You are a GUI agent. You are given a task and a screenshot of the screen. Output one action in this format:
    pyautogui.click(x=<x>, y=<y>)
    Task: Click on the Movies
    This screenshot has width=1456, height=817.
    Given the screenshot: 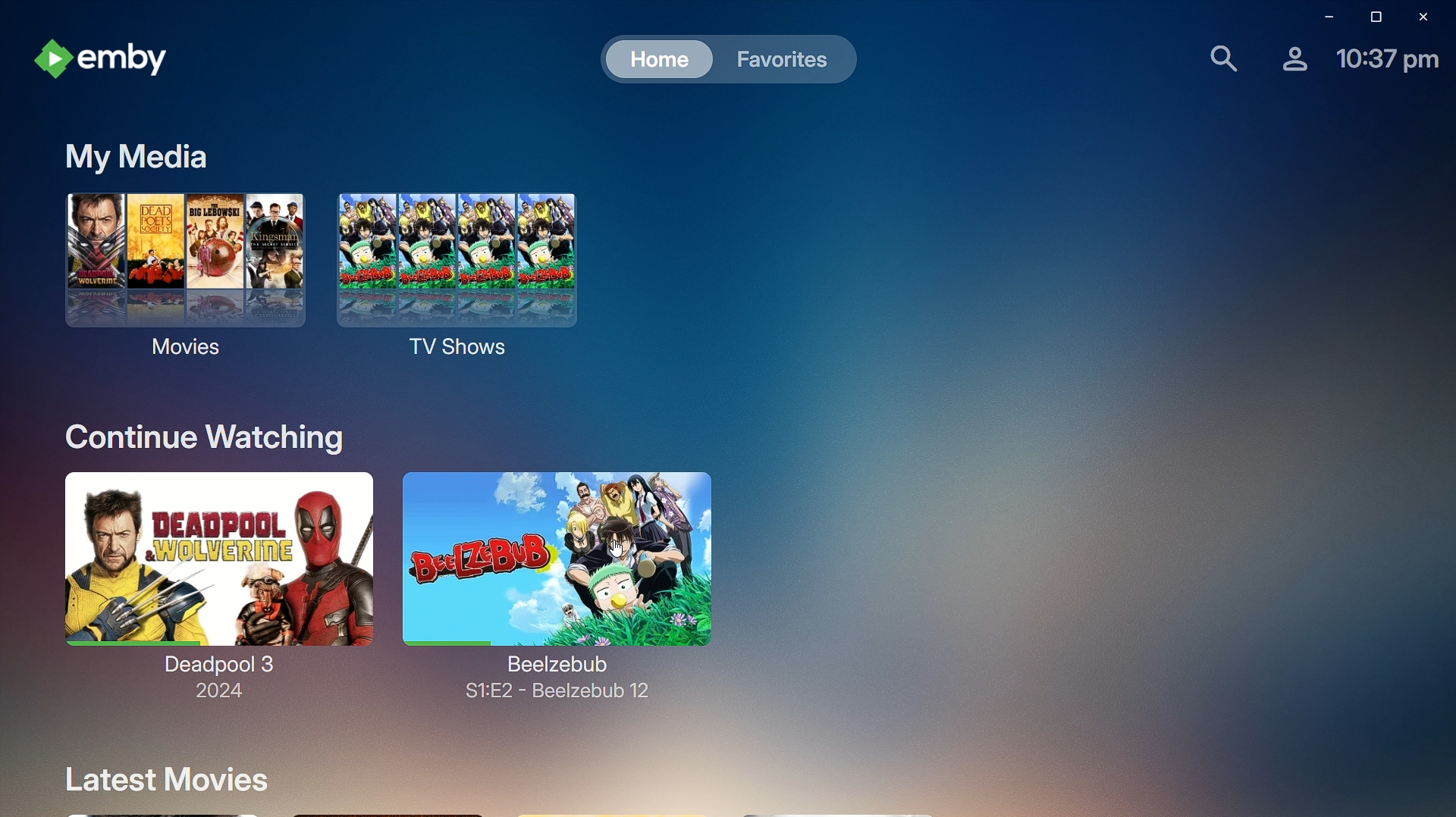 What is the action you would take?
    pyautogui.click(x=177, y=277)
    